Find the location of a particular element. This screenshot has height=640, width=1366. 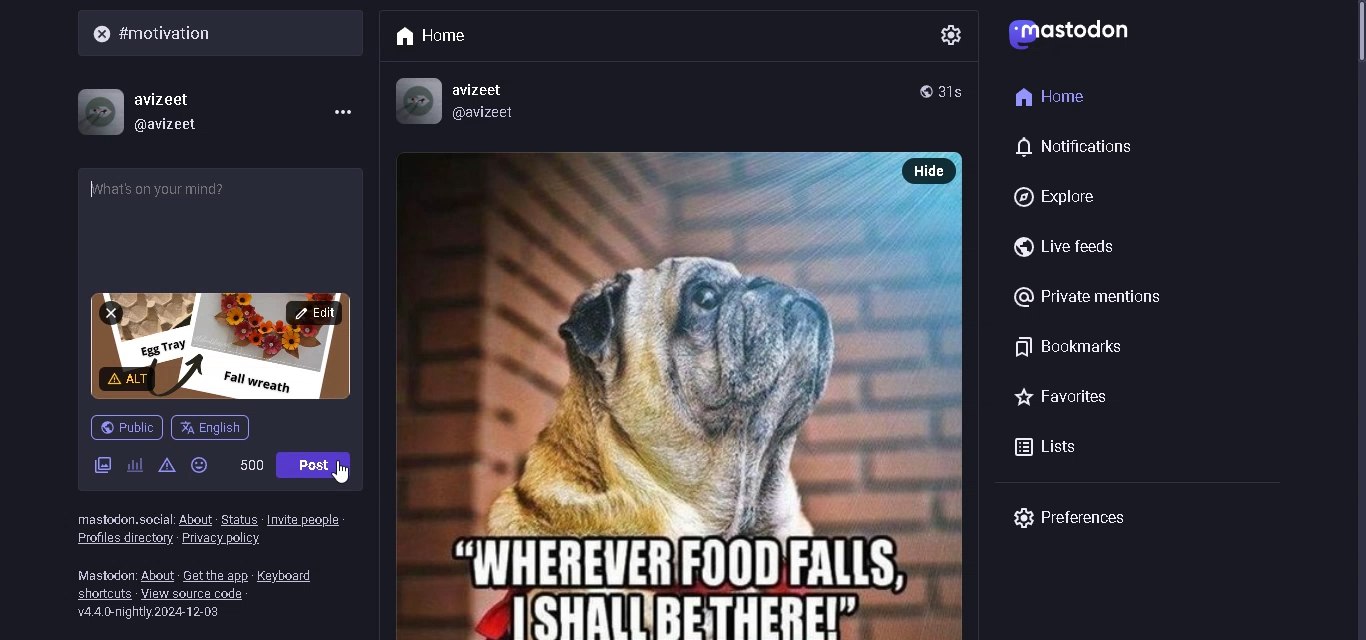

lists is located at coordinates (1047, 444).